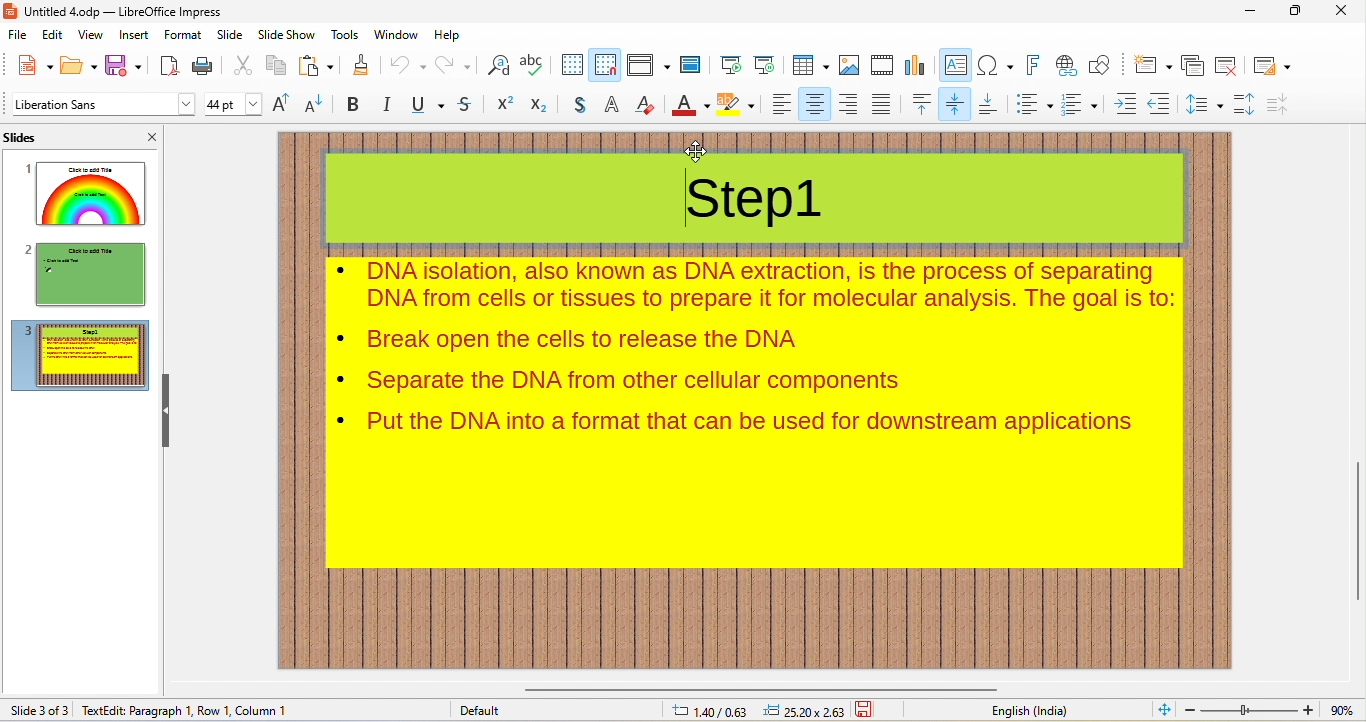 This screenshot has width=1366, height=722. What do you see at coordinates (405, 65) in the screenshot?
I see `undo` at bounding box center [405, 65].